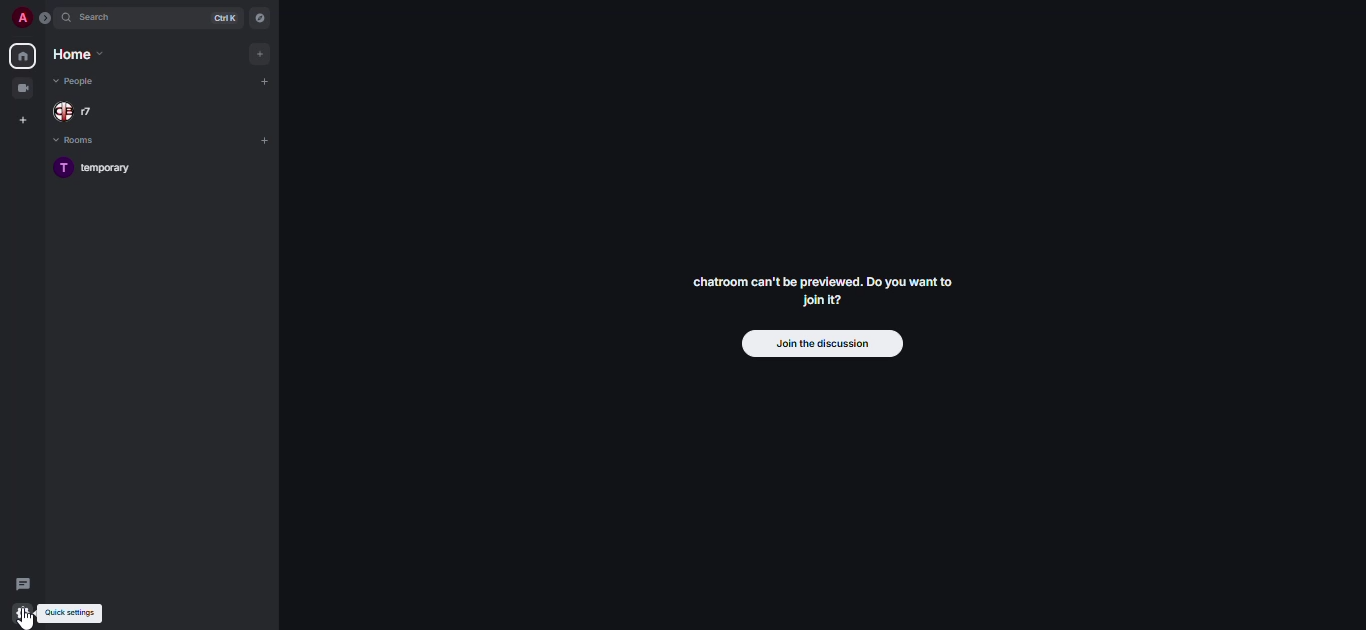  What do you see at coordinates (98, 169) in the screenshot?
I see `room` at bounding box center [98, 169].